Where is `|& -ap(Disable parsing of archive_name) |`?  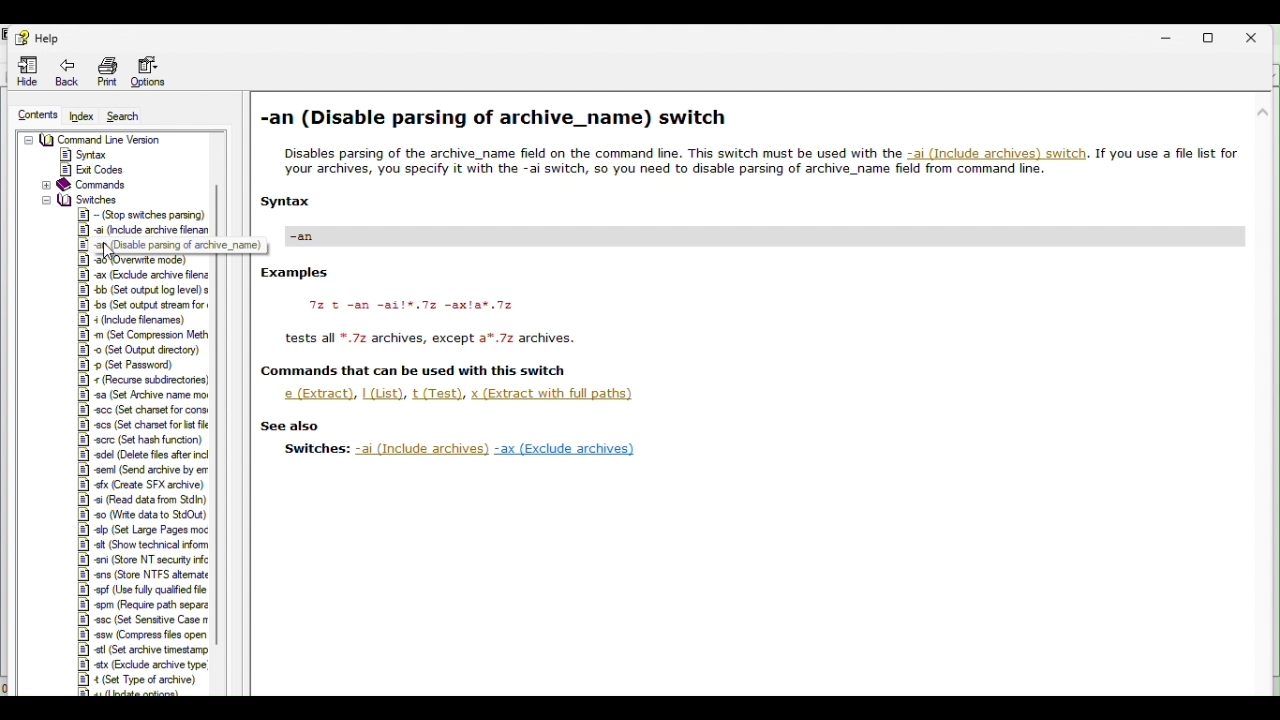 |& -ap(Disable parsing of archive_name) | is located at coordinates (171, 245).